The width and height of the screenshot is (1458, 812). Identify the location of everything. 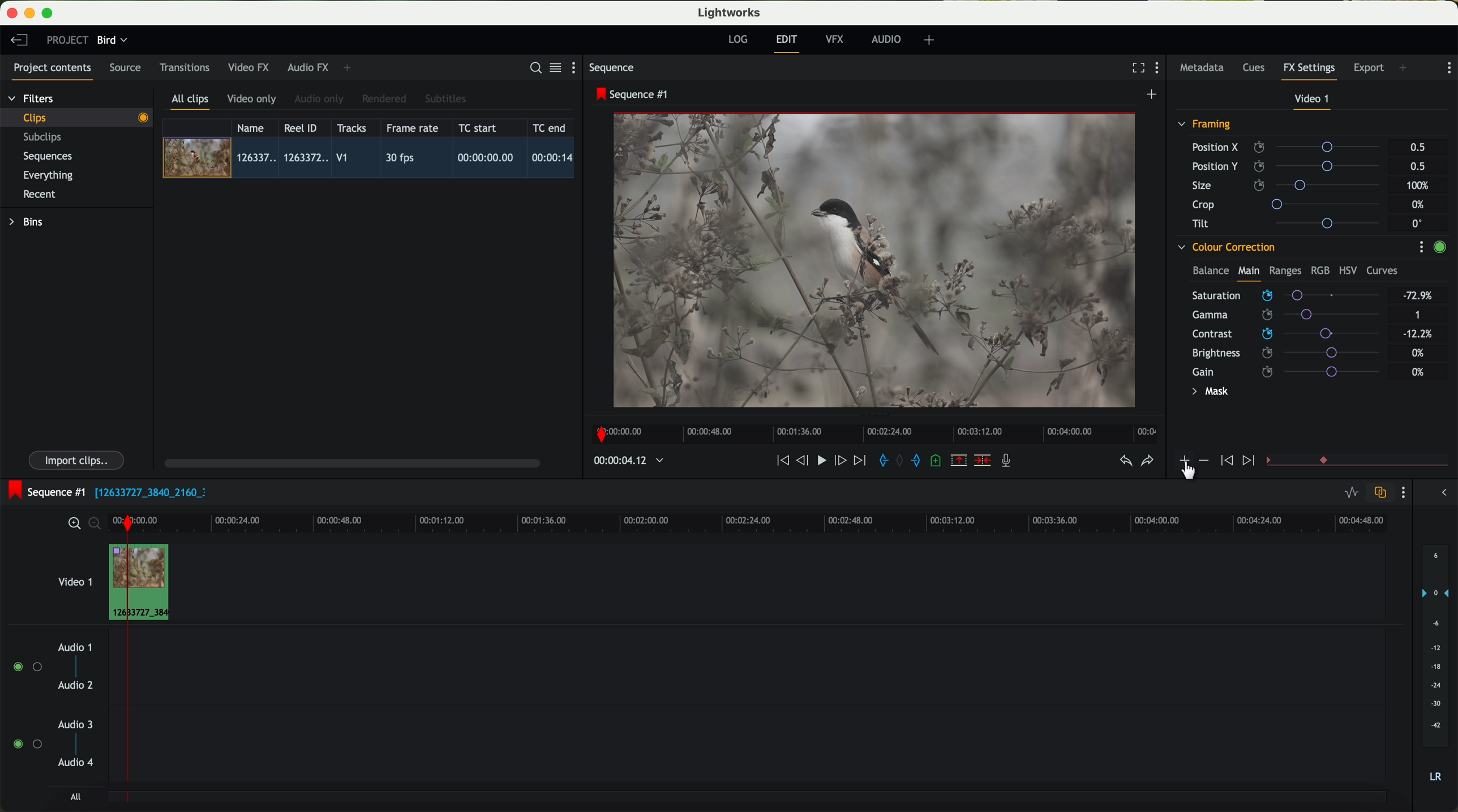
(49, 175).